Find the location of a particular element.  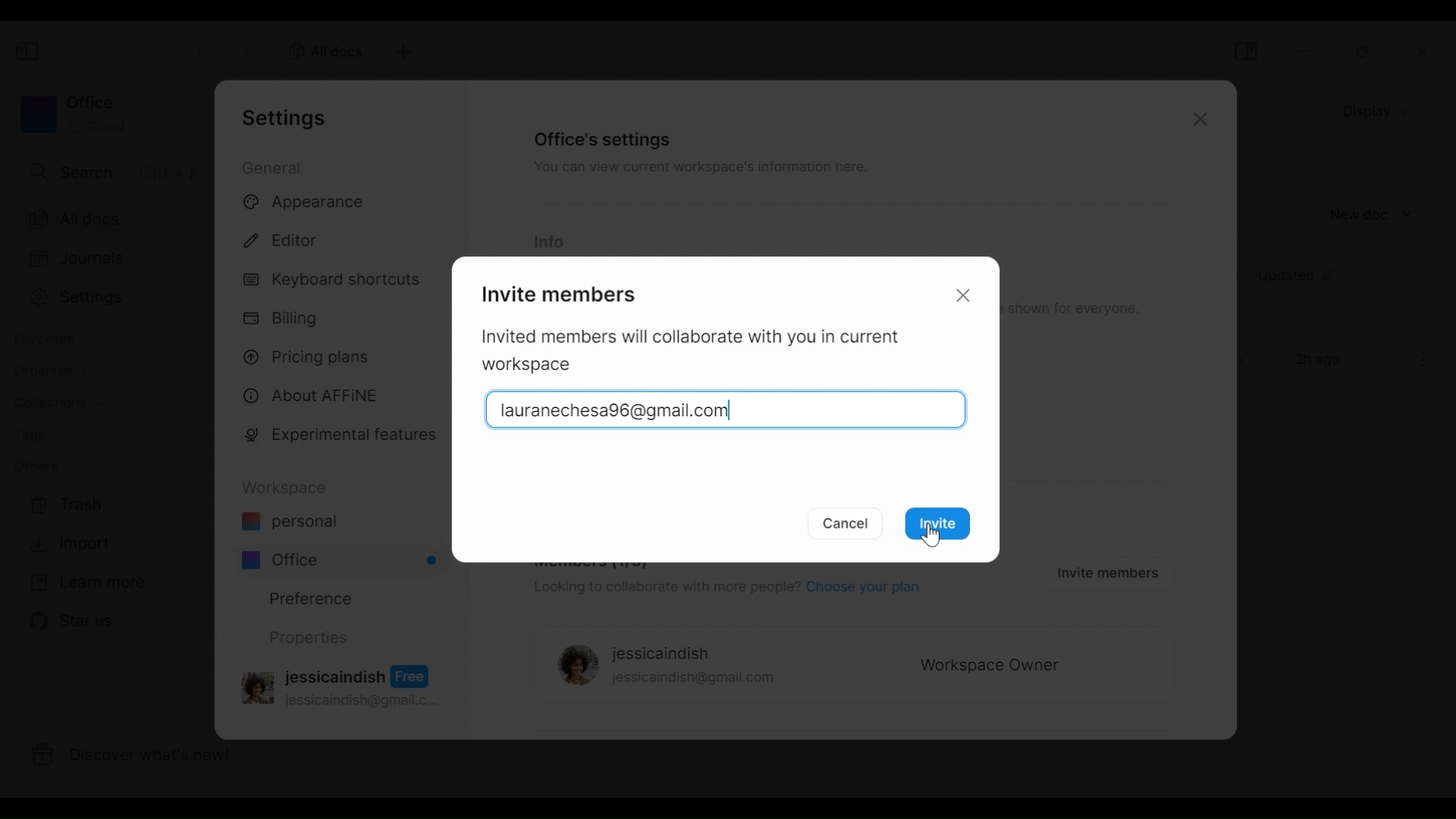

Others is located at coordinates (36, 466).